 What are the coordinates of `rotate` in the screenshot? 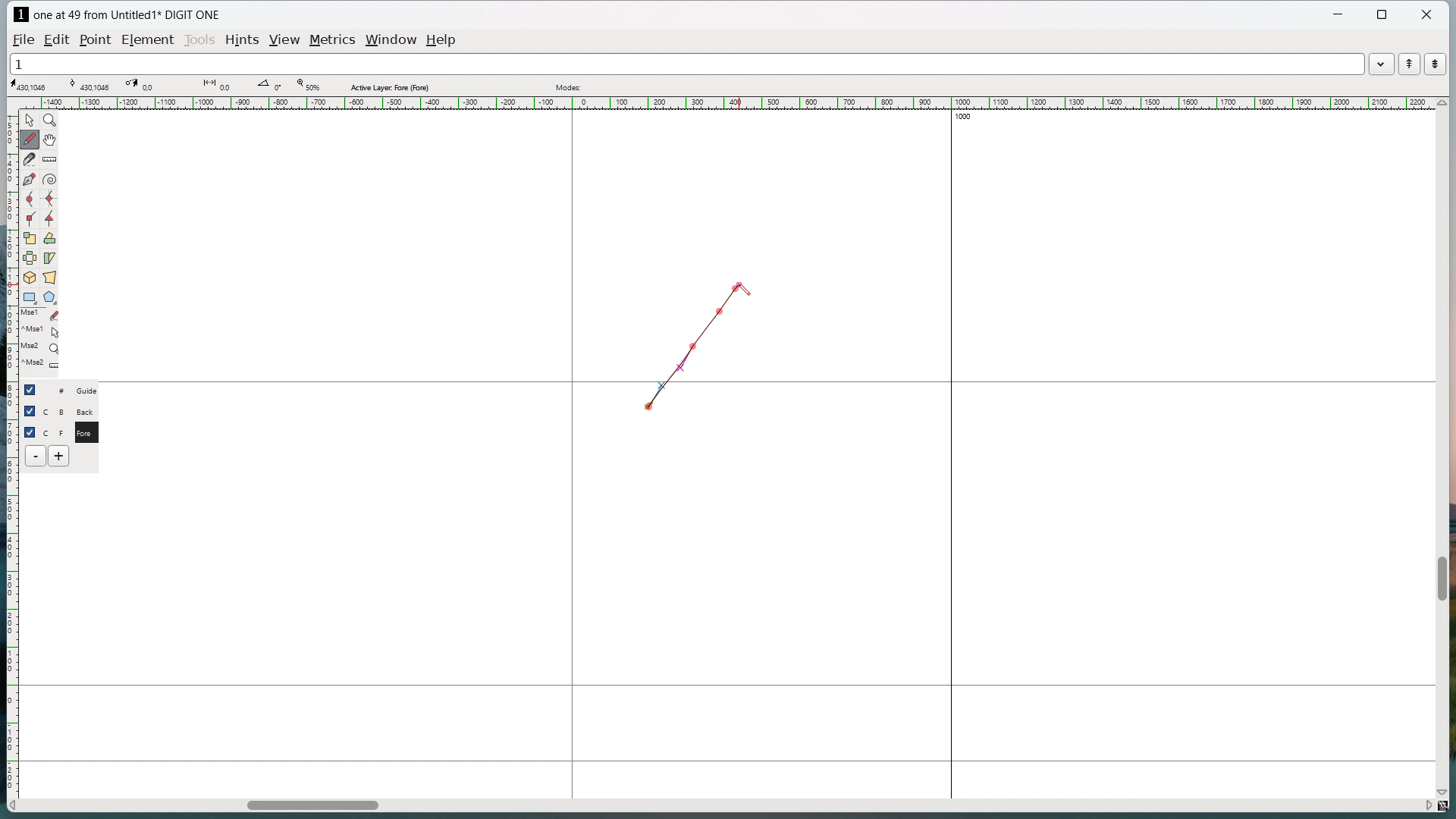 It's located at (49, 238).